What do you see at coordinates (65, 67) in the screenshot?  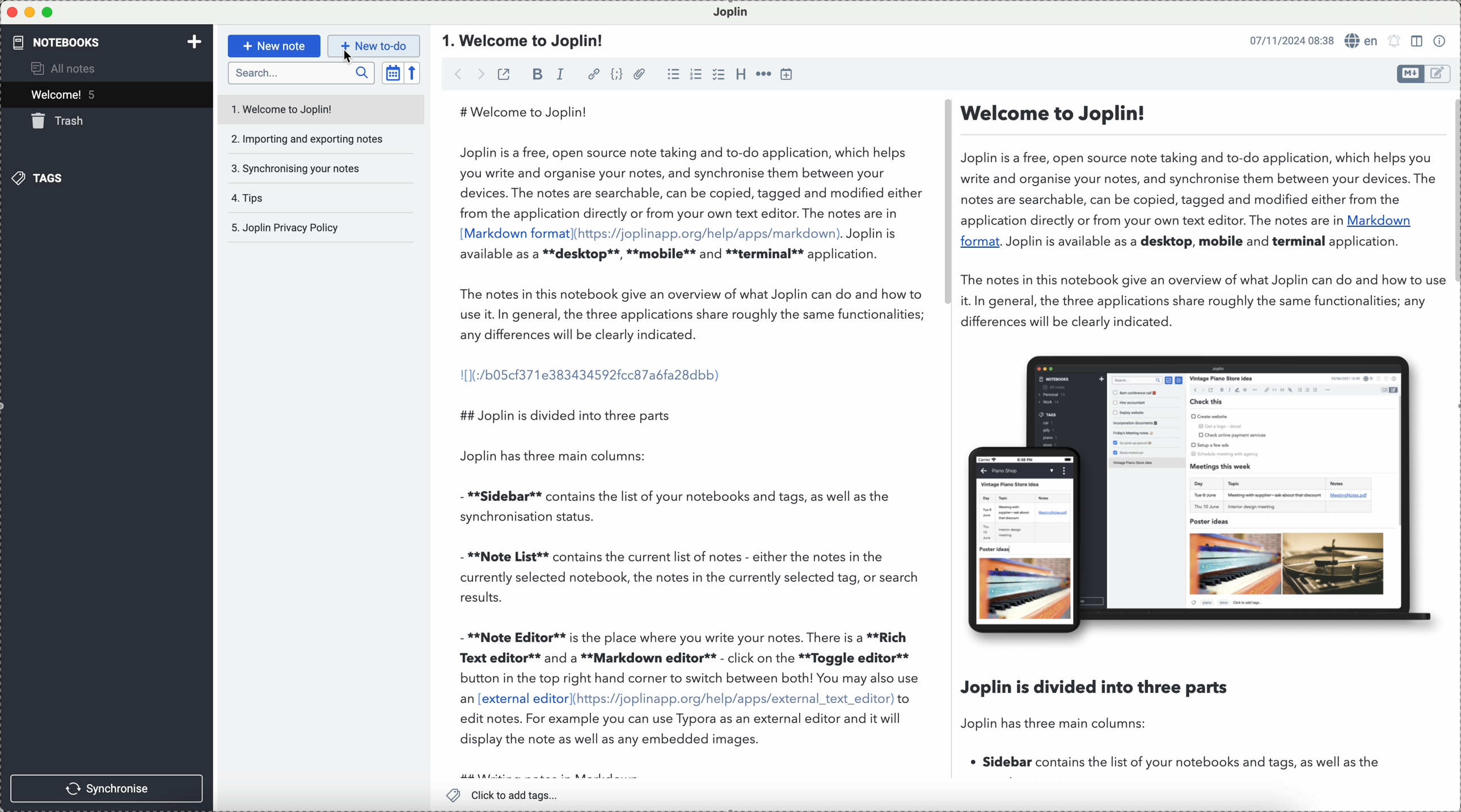 I see `all notes` at bounding box center [65, 67].